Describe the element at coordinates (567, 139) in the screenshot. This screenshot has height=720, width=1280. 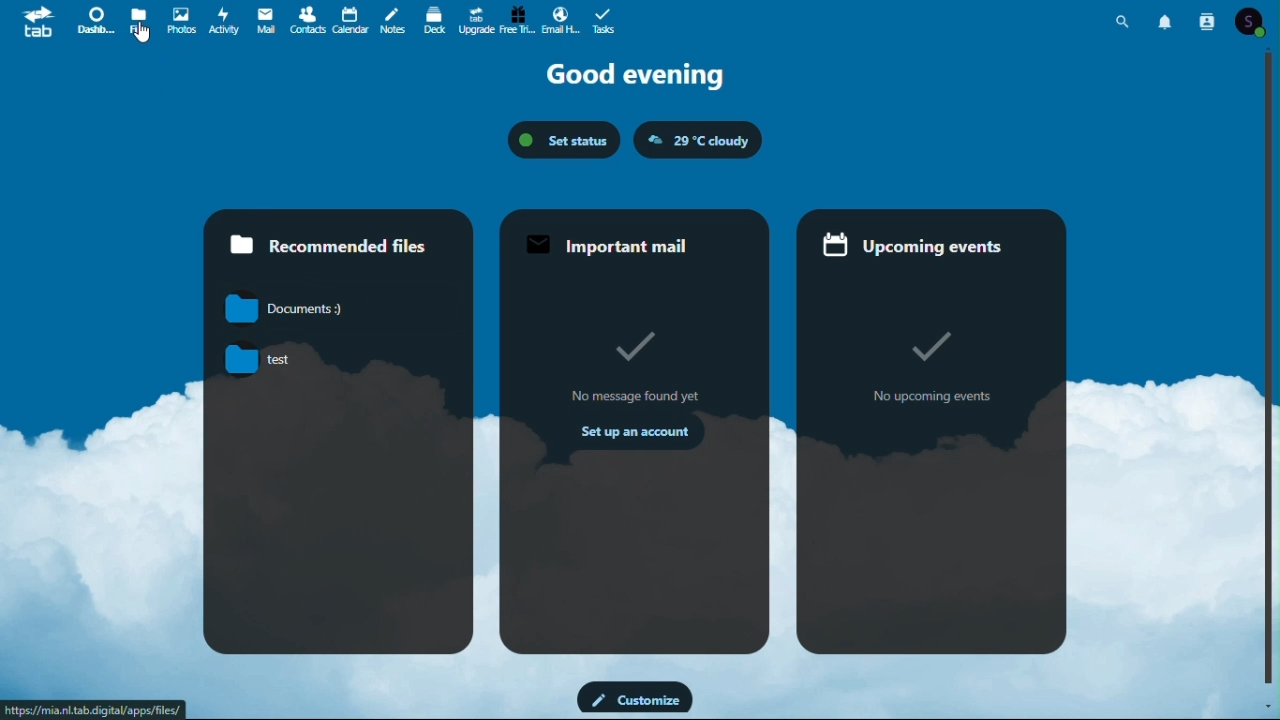
I see `set status` at that location.